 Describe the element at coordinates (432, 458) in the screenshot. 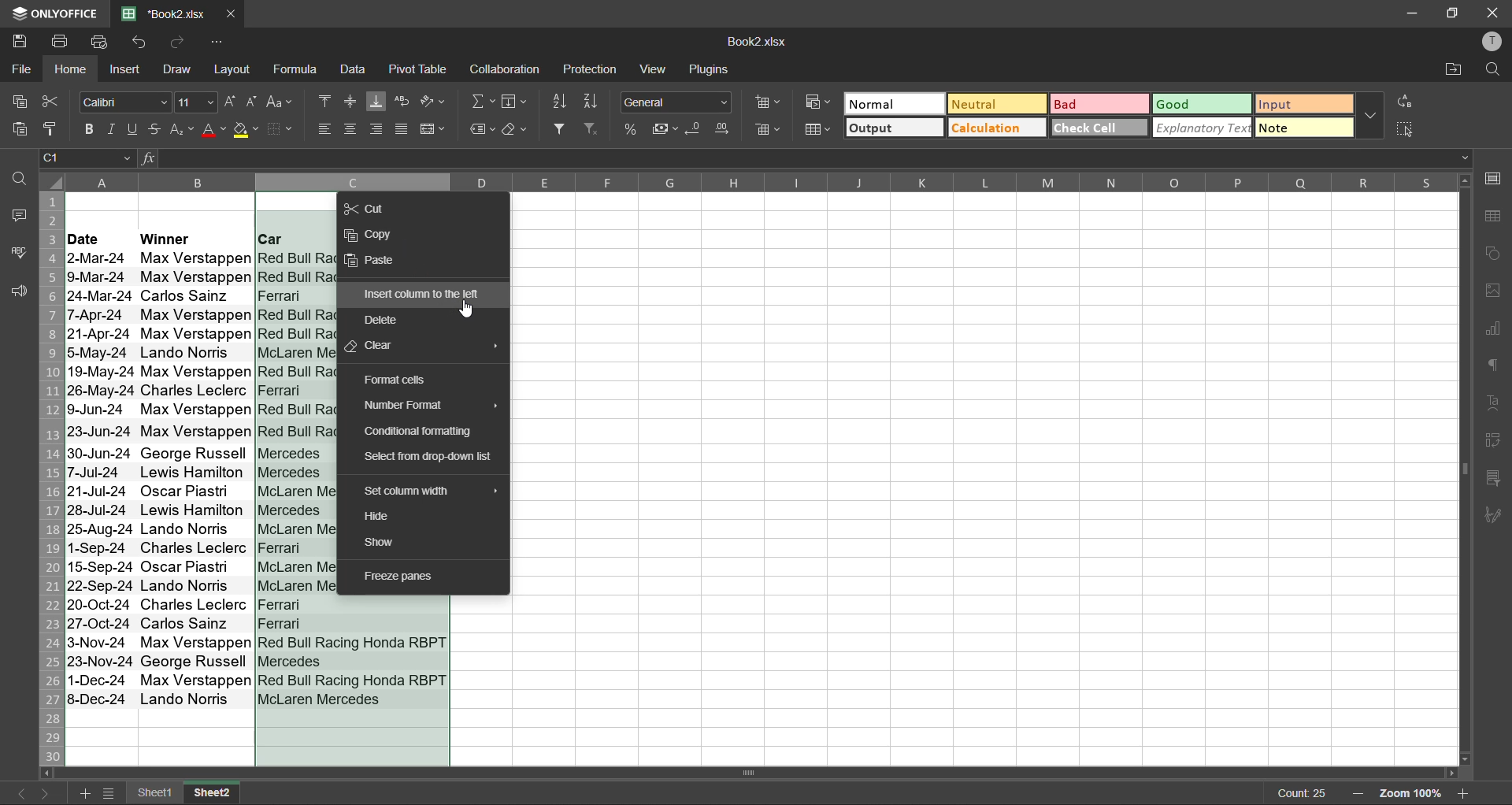

I see `select from drop down list` at that location.